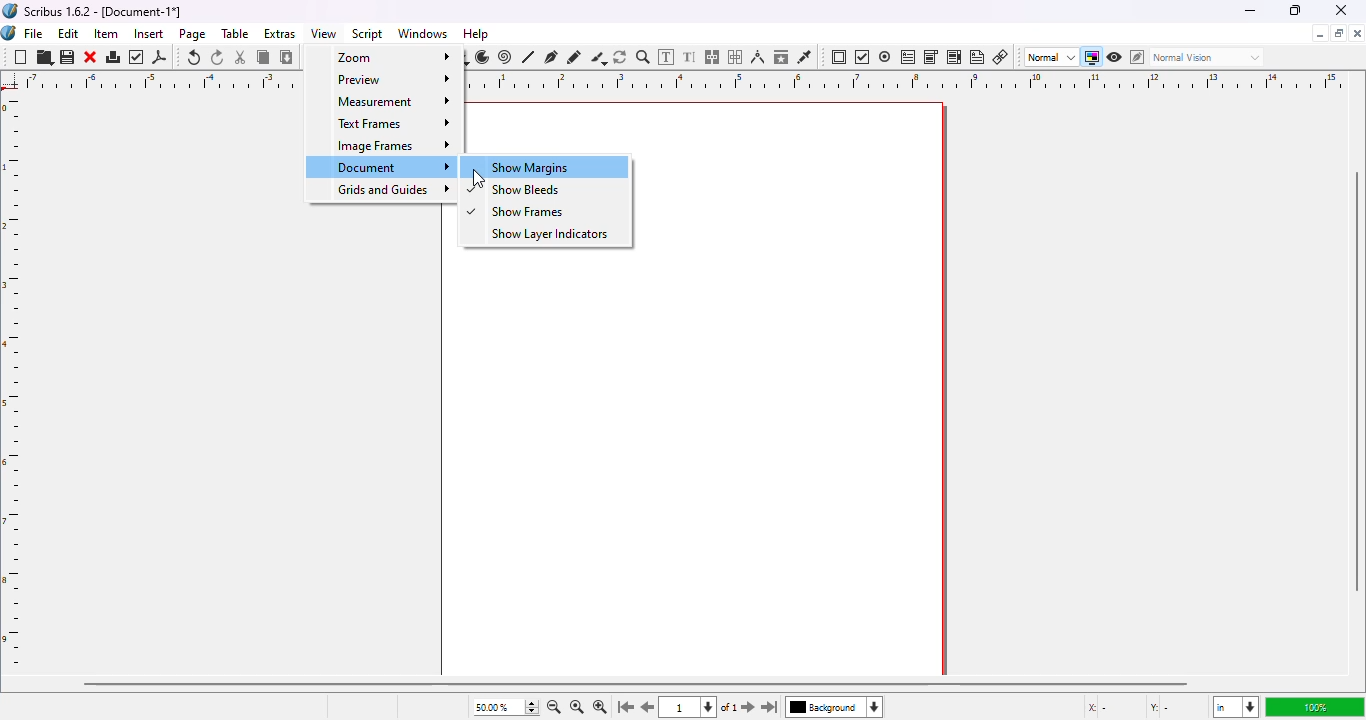 The height and width of the screenshot is (720, 1366). What do you see at coordinates (10, 10) in the screenshot?
I see `logo` at bounding box center [10, 10].